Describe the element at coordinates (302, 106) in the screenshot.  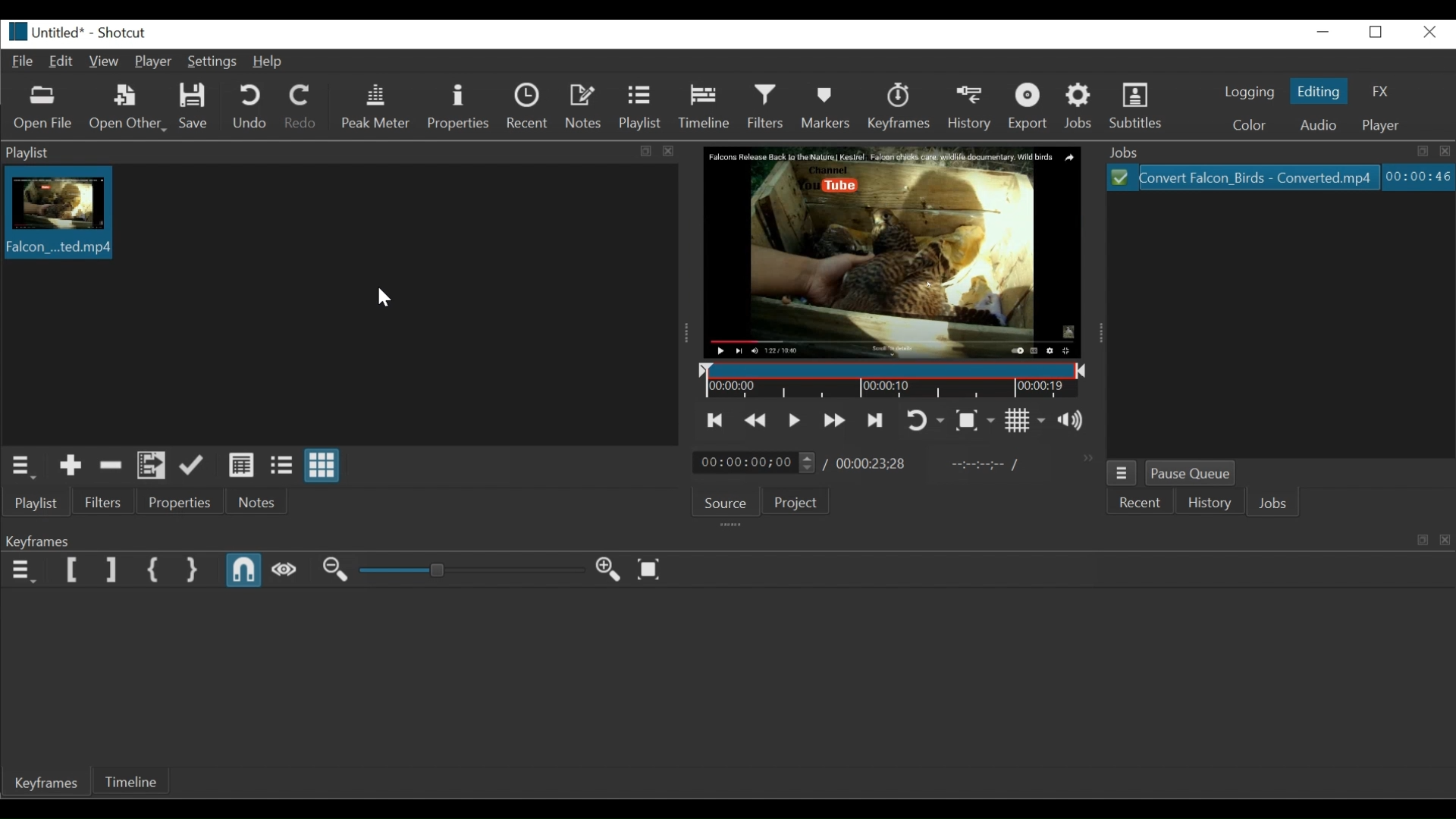
I see `Redo` at that location.